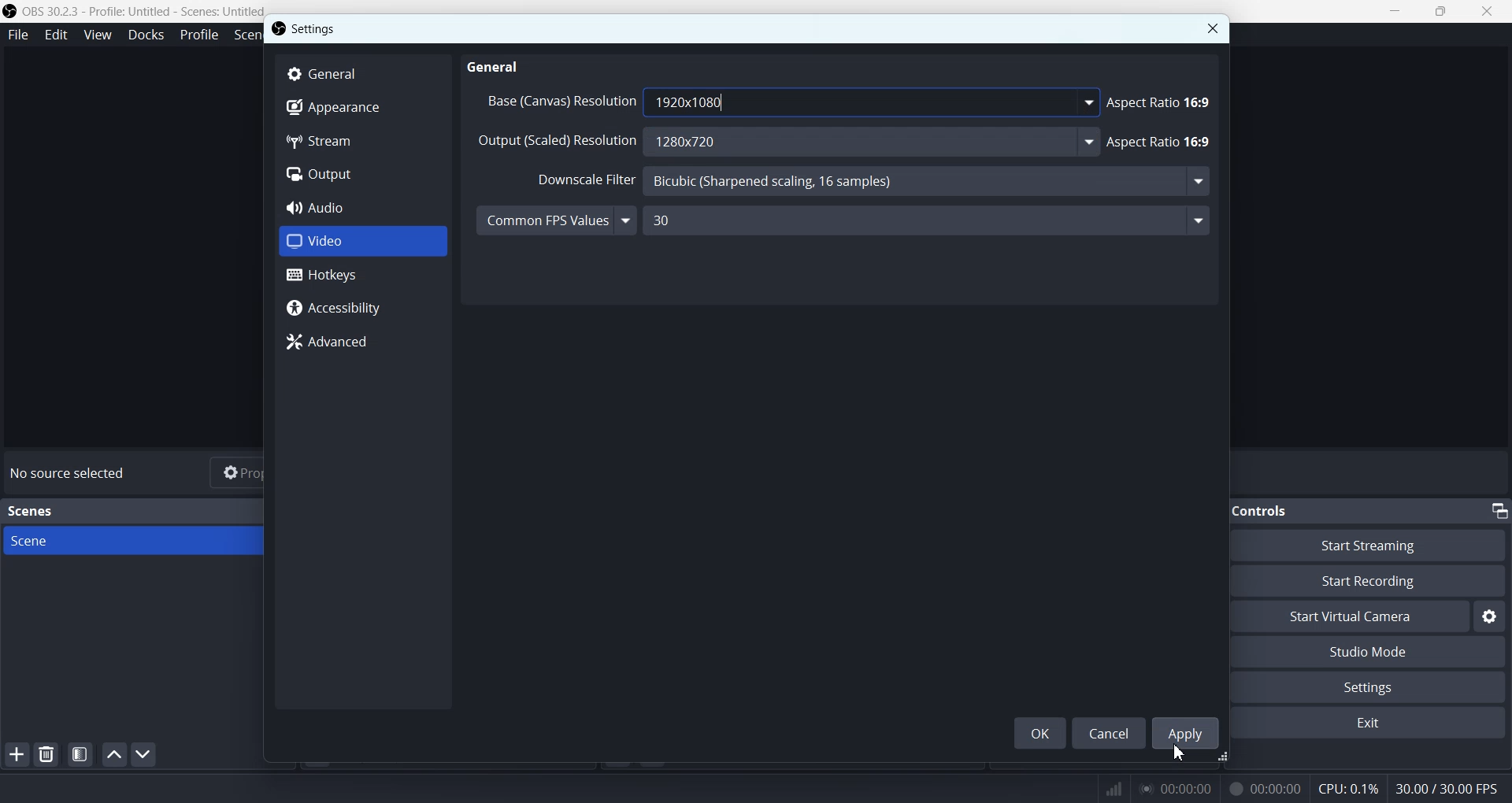 The height and width of the screenshot is (803, 1512). Describe the element at coordinates (317, 28) in the screenshot. I see `Settings` at that location.